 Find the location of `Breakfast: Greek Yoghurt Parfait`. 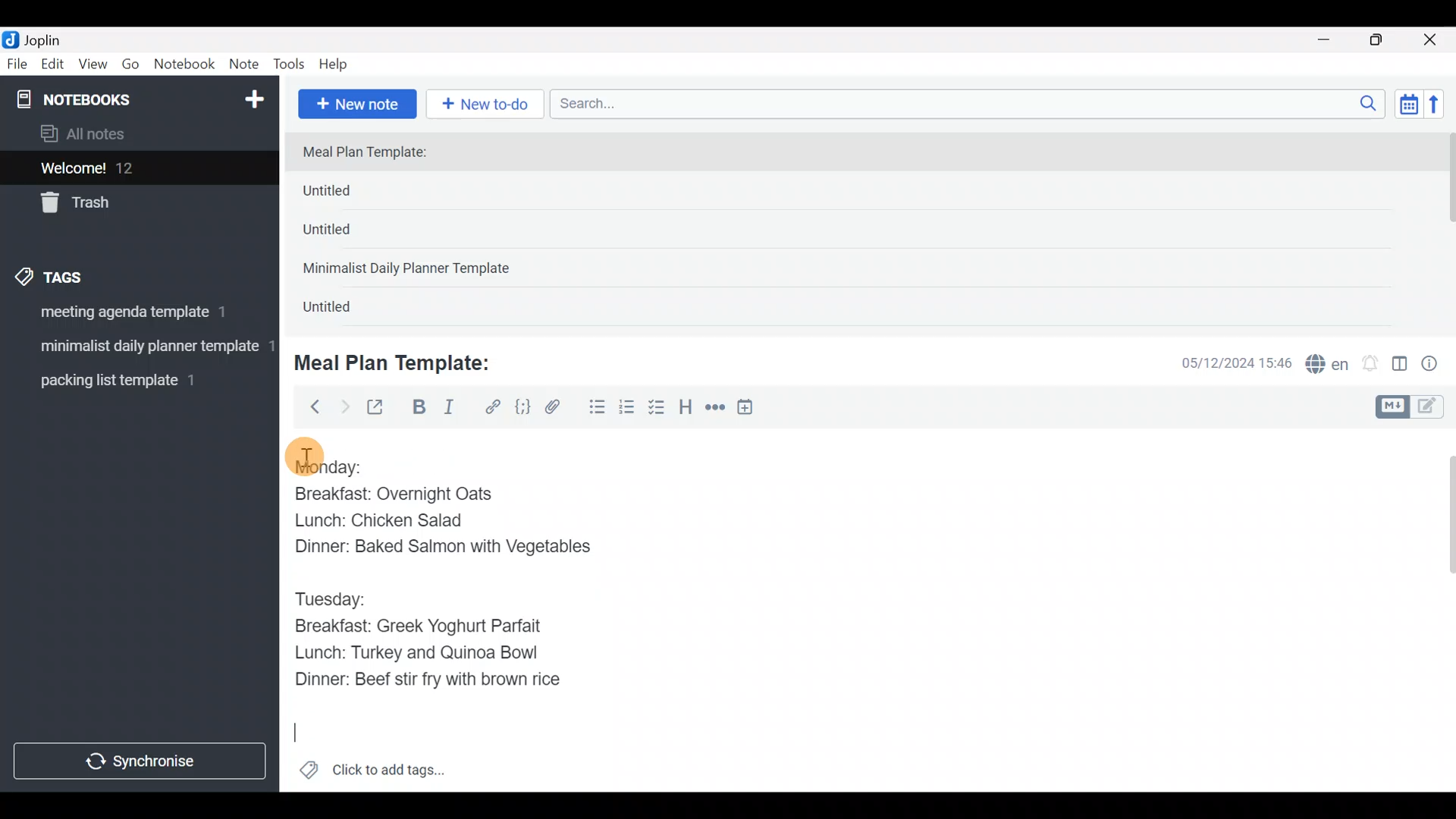

Breakfast: Greek Yoghurt Parfait is located at coordinates (425, 625).